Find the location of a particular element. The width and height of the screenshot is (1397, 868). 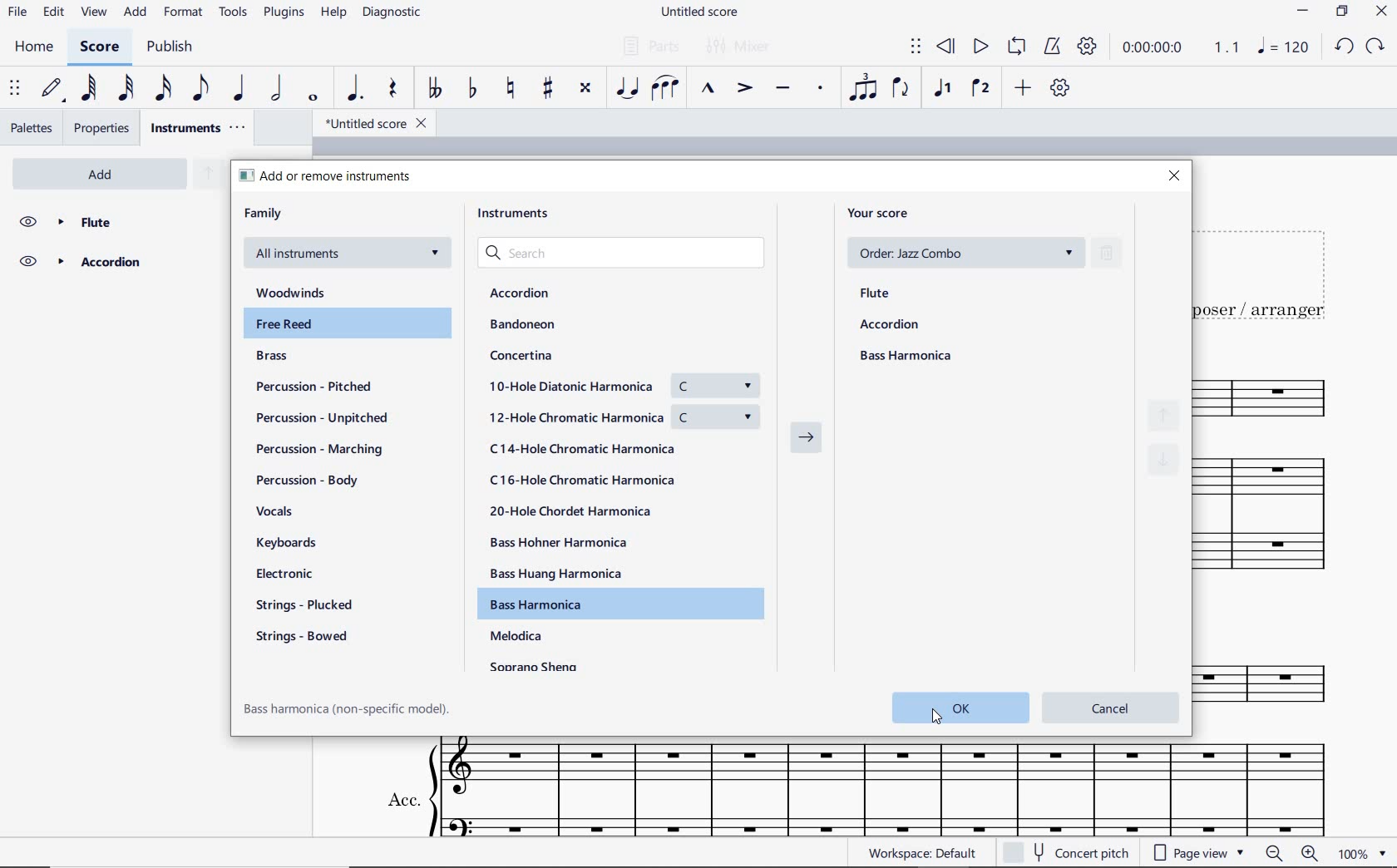

your score is located at coordinates (881, 214).